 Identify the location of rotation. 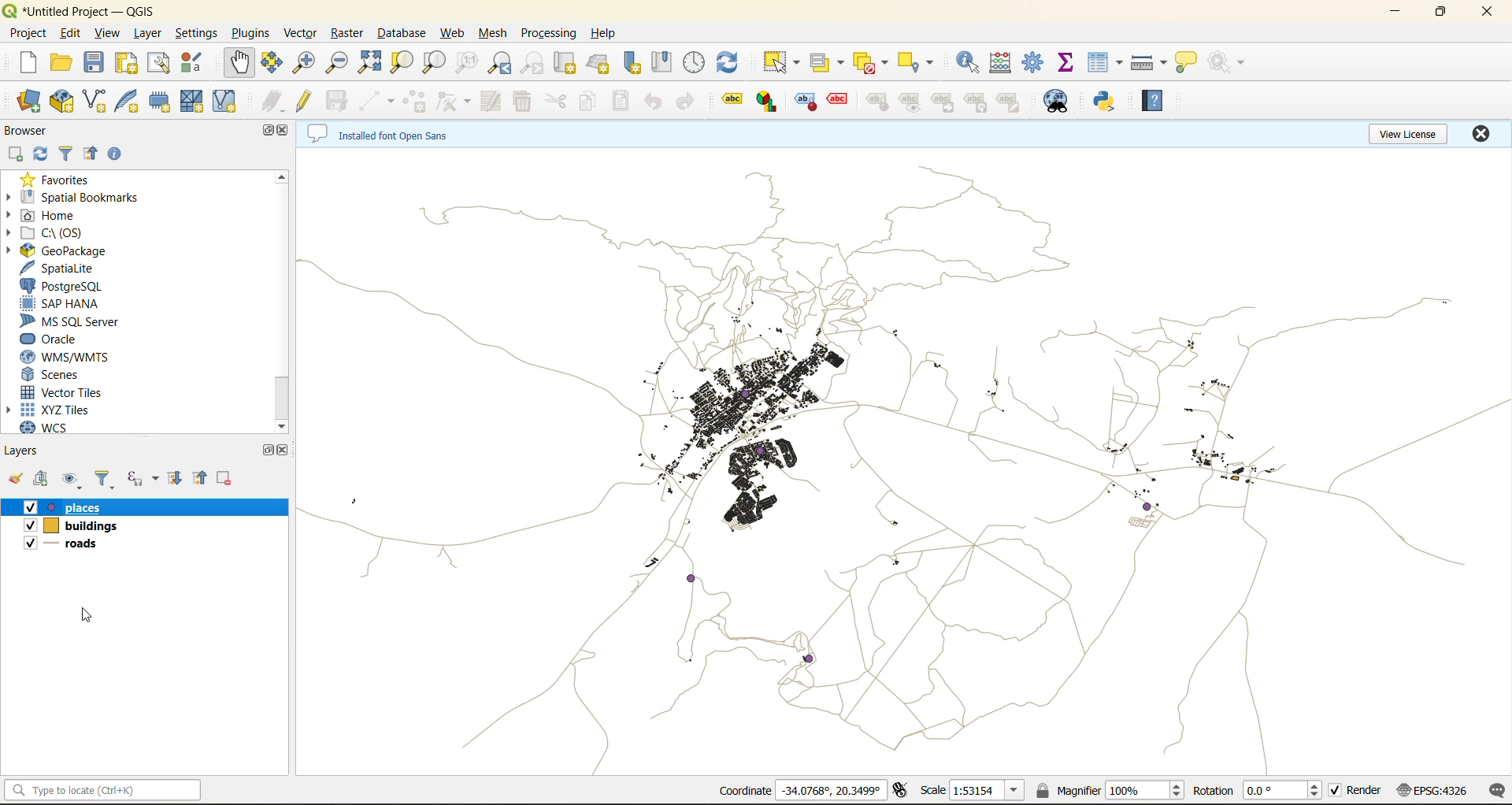
(1213, 791).